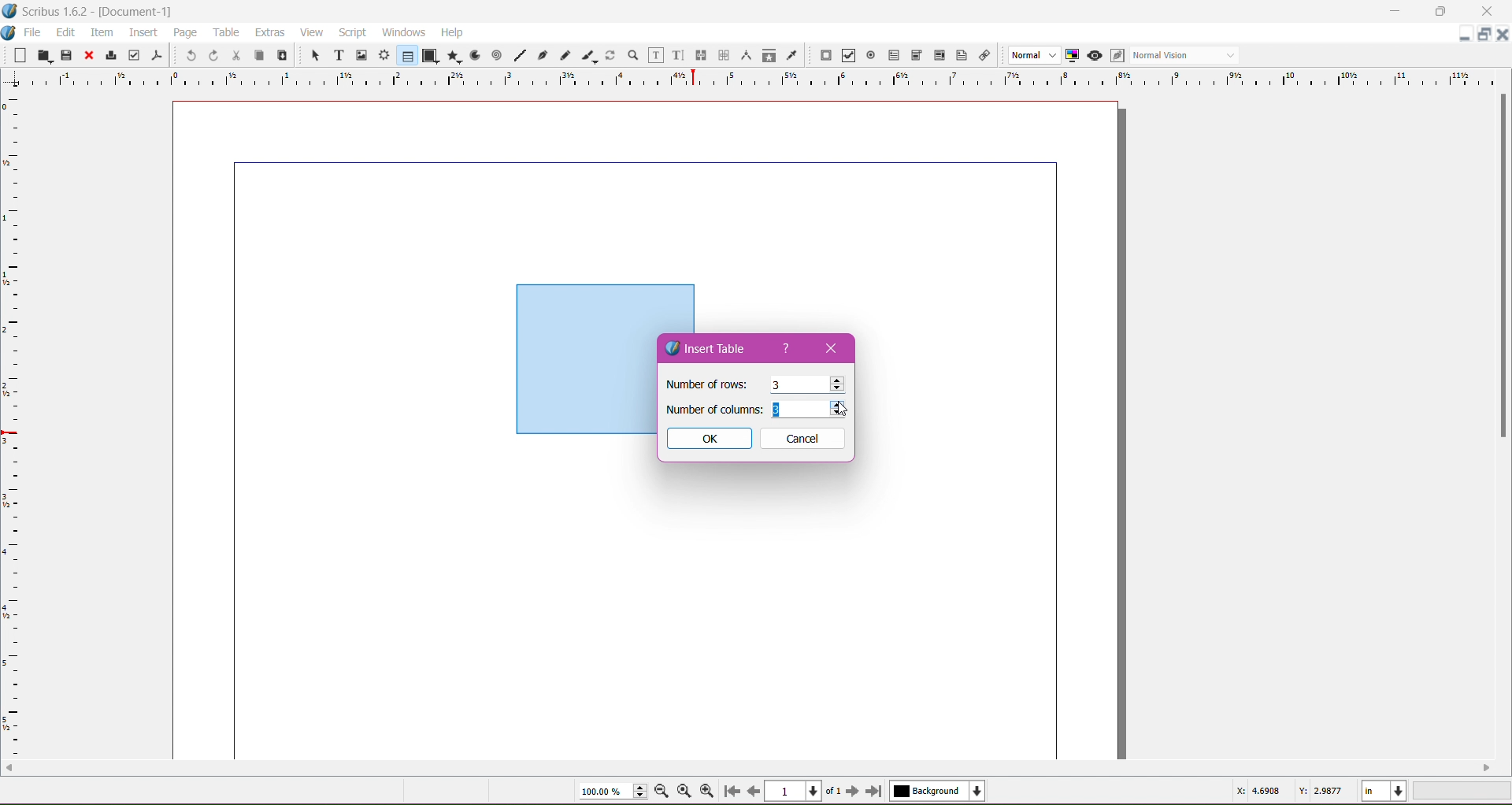  Describe the element at coordinates (452, 33) in the screenshot. I see `Help` at that location.